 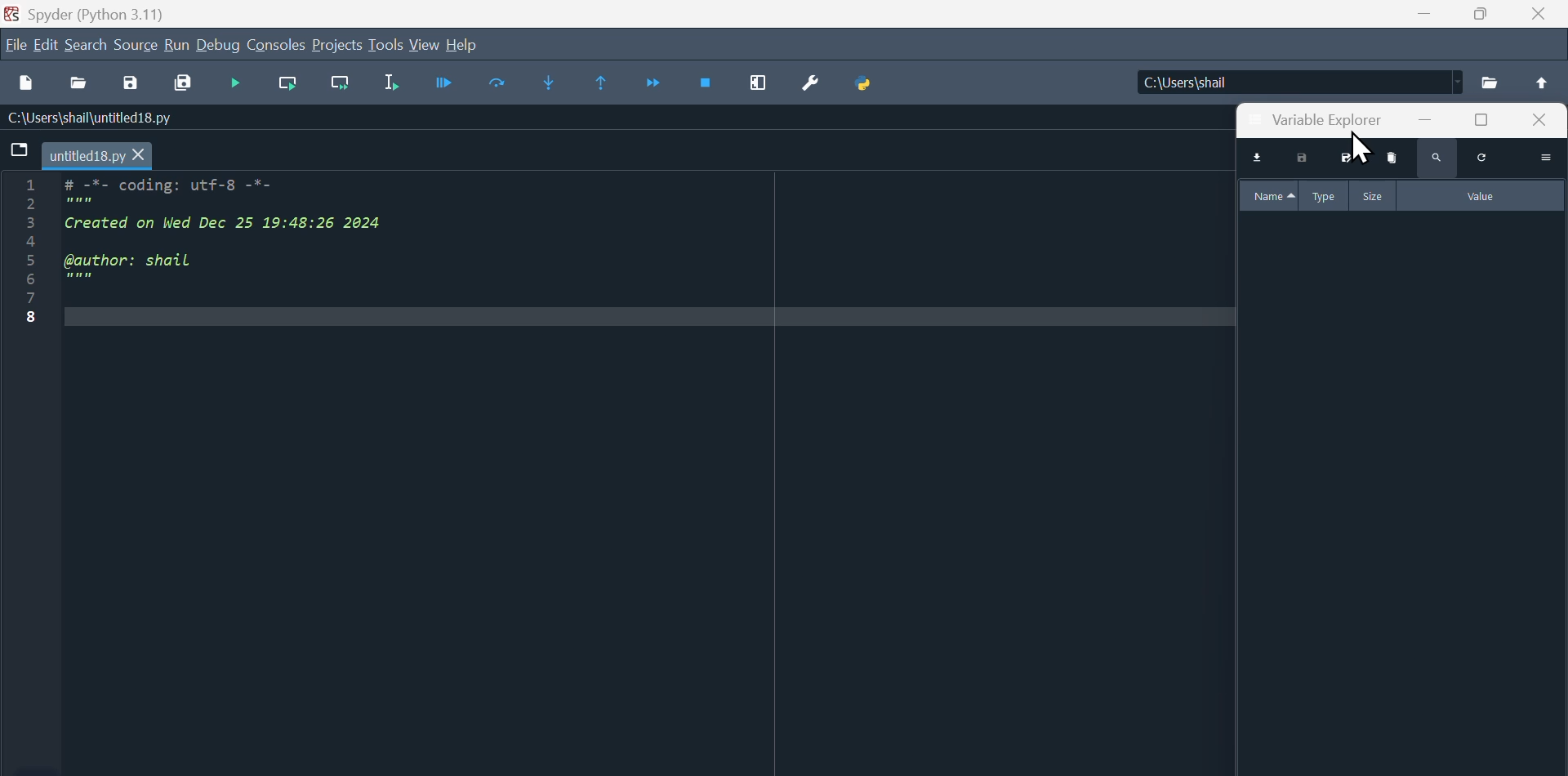 What do you see at coordinates (24, 83) in the screenshot?
I see `New ` at bounding box center [24, 83].